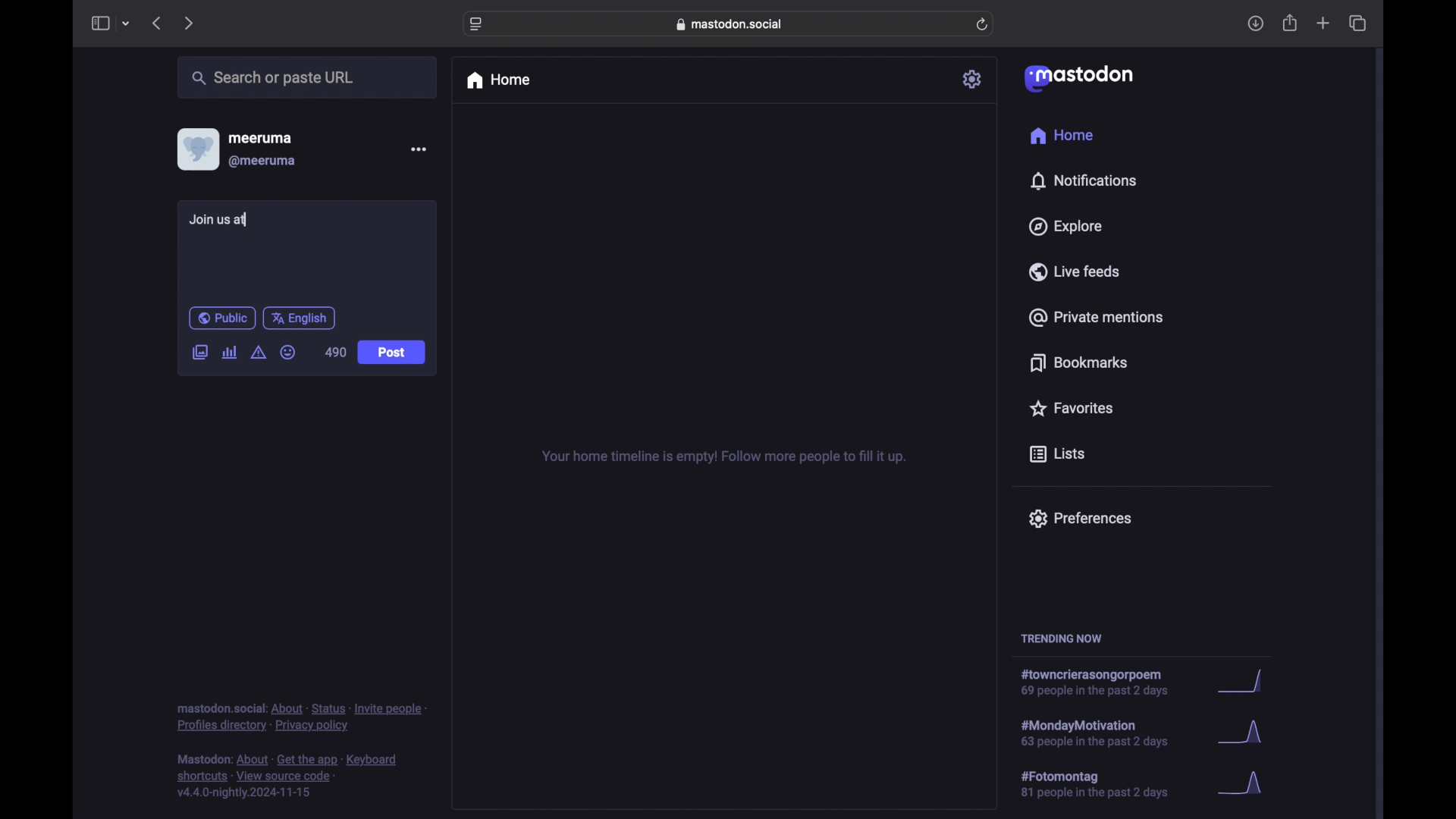 This screenshot has height=819, width=1456. What do you see at coordinates (1105, 785) in the screenshot?
I see `hashtag trend` at bounding box center [1105, 785].